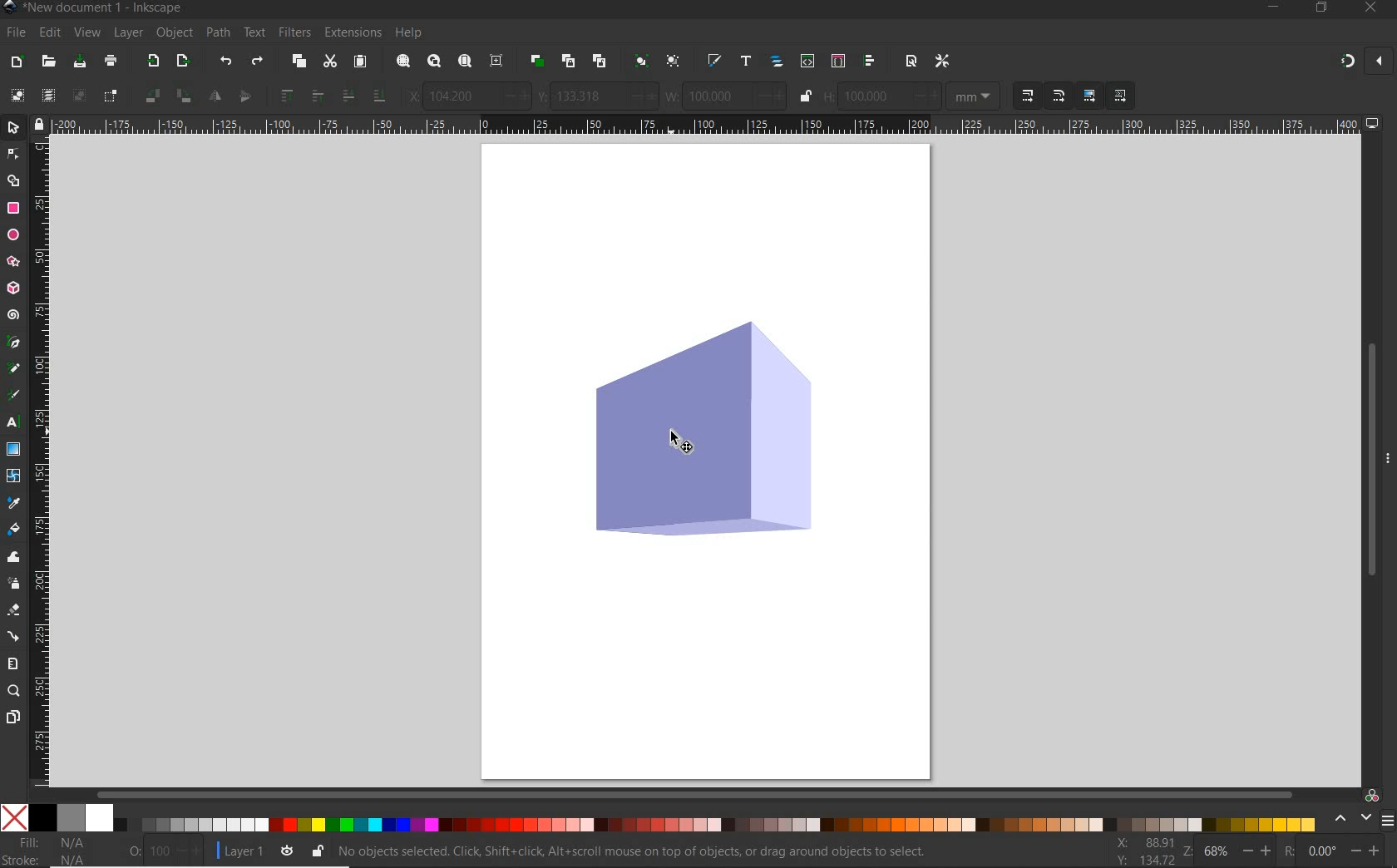  Describe the element at coordinates (659, 851) in the screenshot. I see `NO OBJECTS SELECTED` at that location.